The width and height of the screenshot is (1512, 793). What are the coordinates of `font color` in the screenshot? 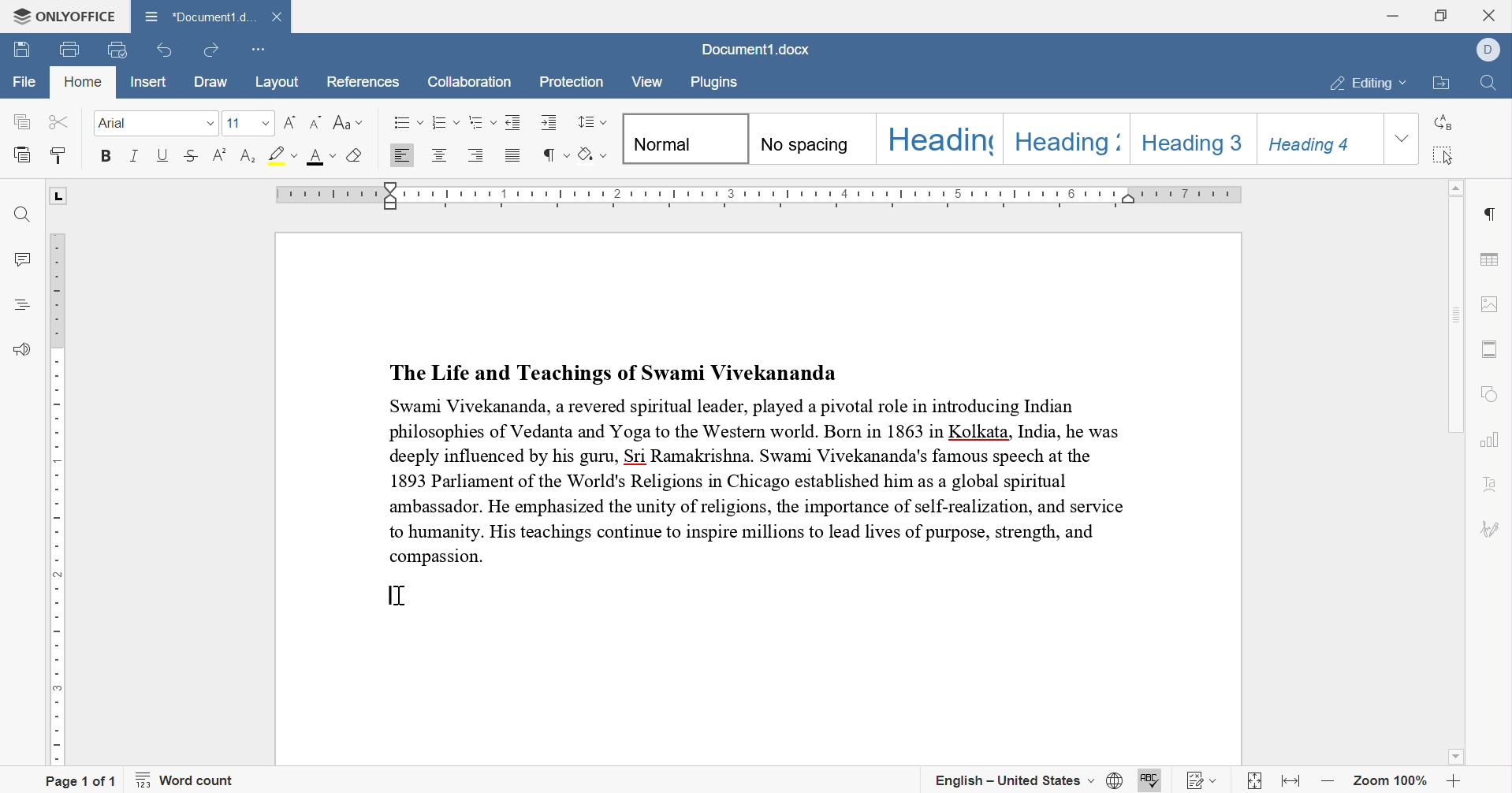 It's located at (322, 156).